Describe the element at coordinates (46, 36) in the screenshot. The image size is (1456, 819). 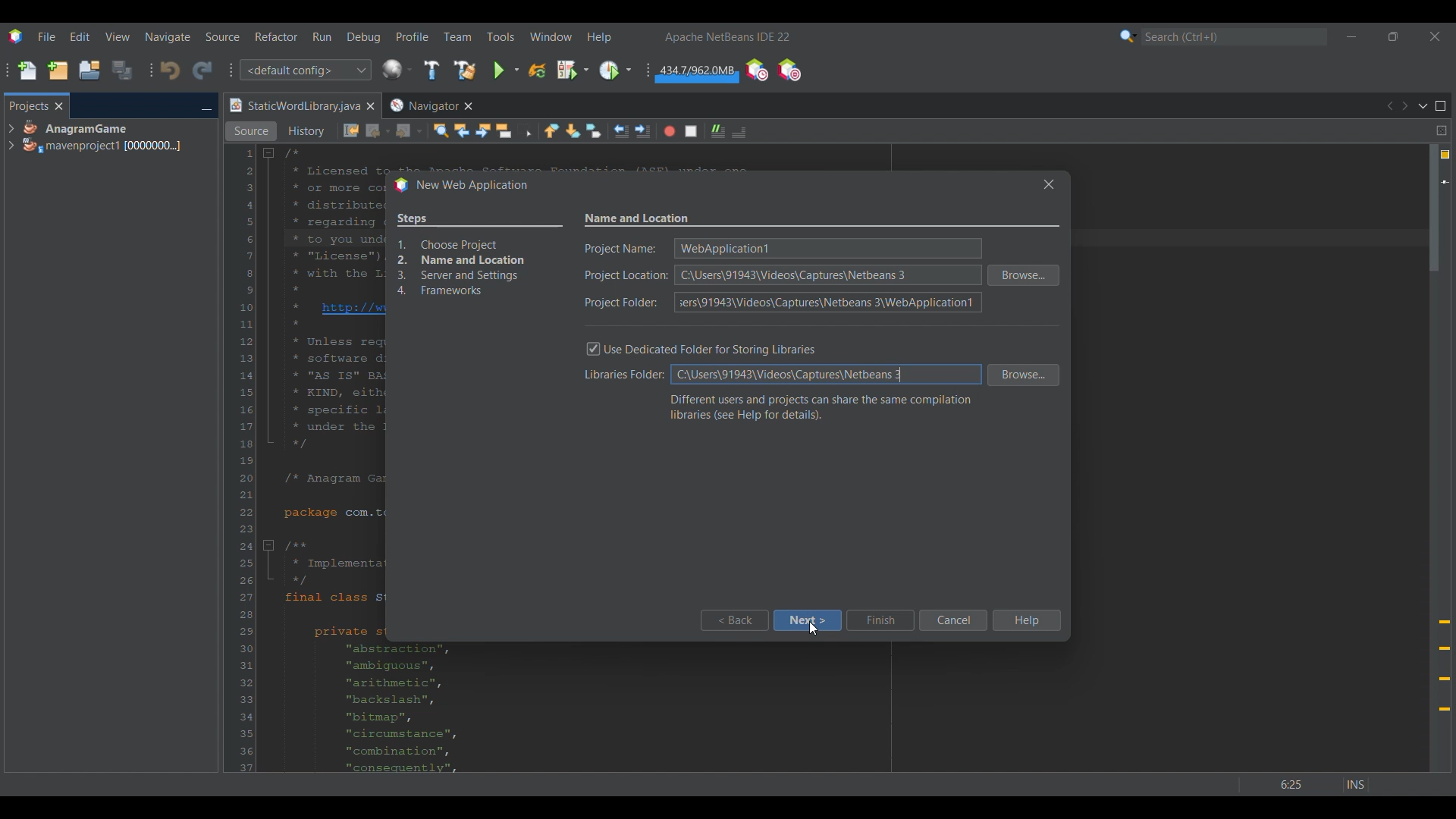
I see `File menu` at that location.